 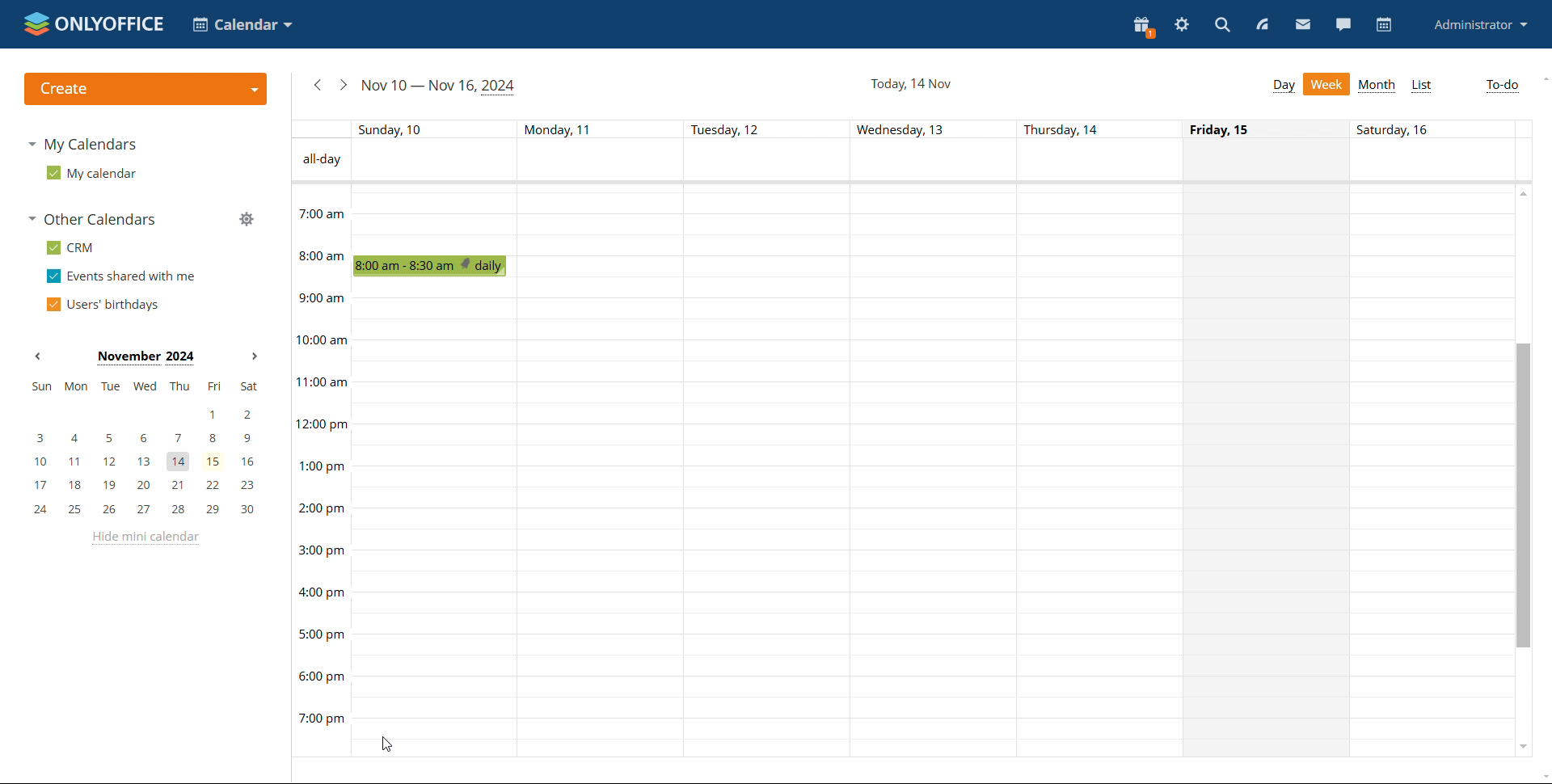 What do you see at coordinates (1327, 84) in the screenshot?
I see `week view` at bounding box center [1327, 84].